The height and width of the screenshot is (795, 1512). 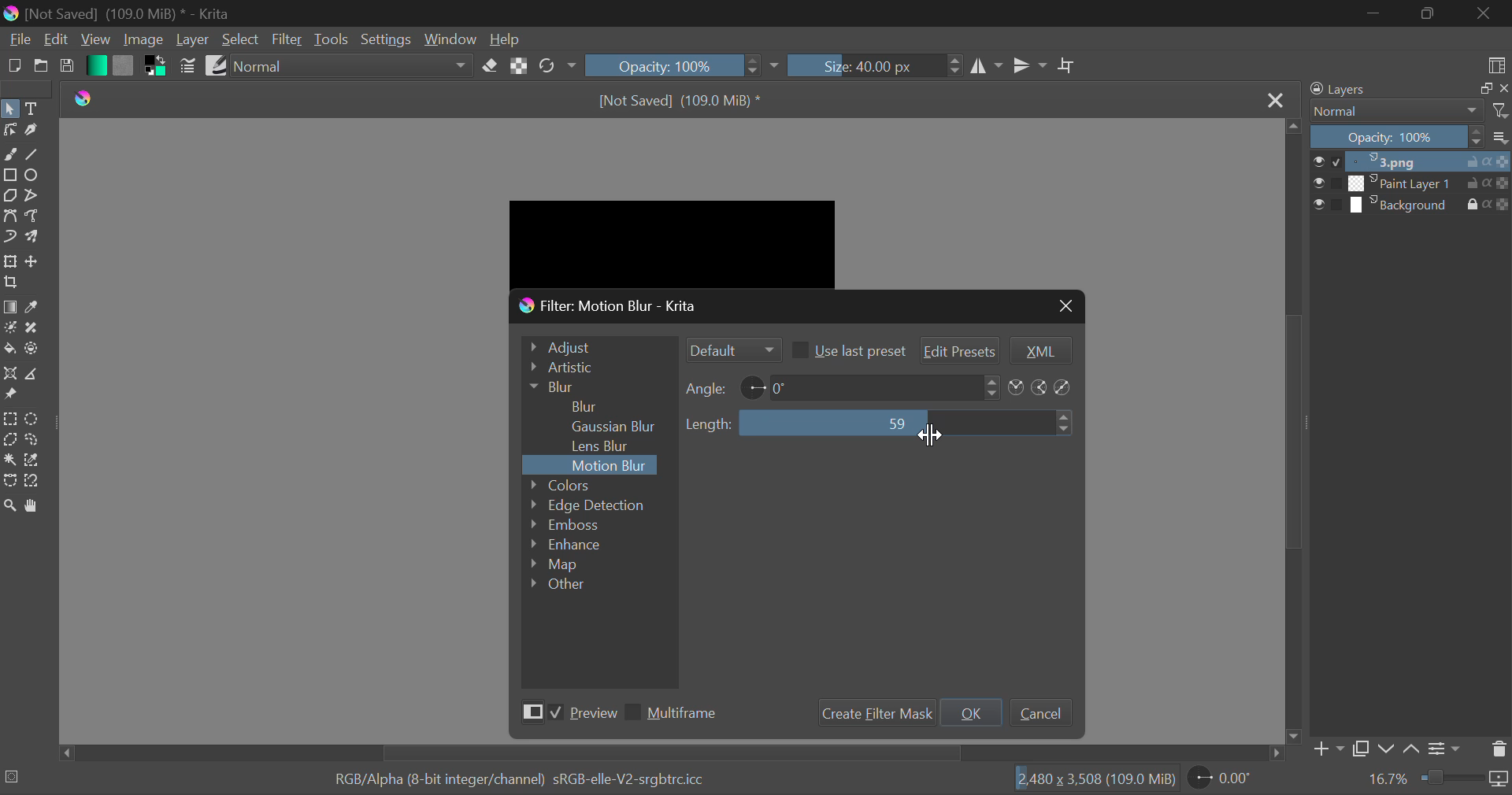 I want to click on Brush Presets, so click(x=216, y=65).